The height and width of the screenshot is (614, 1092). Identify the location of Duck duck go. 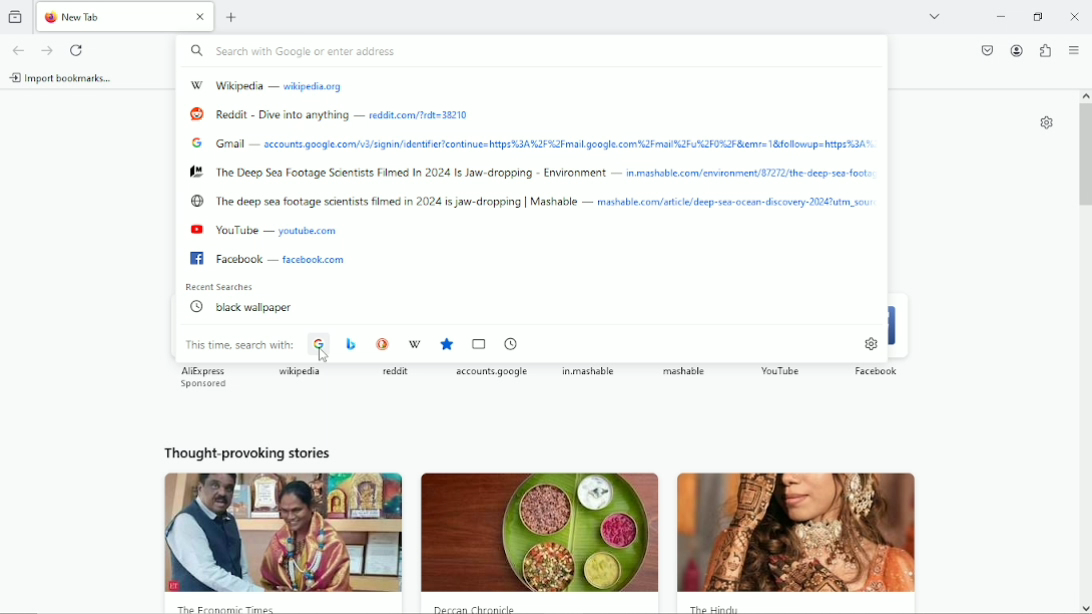
(383, 344).